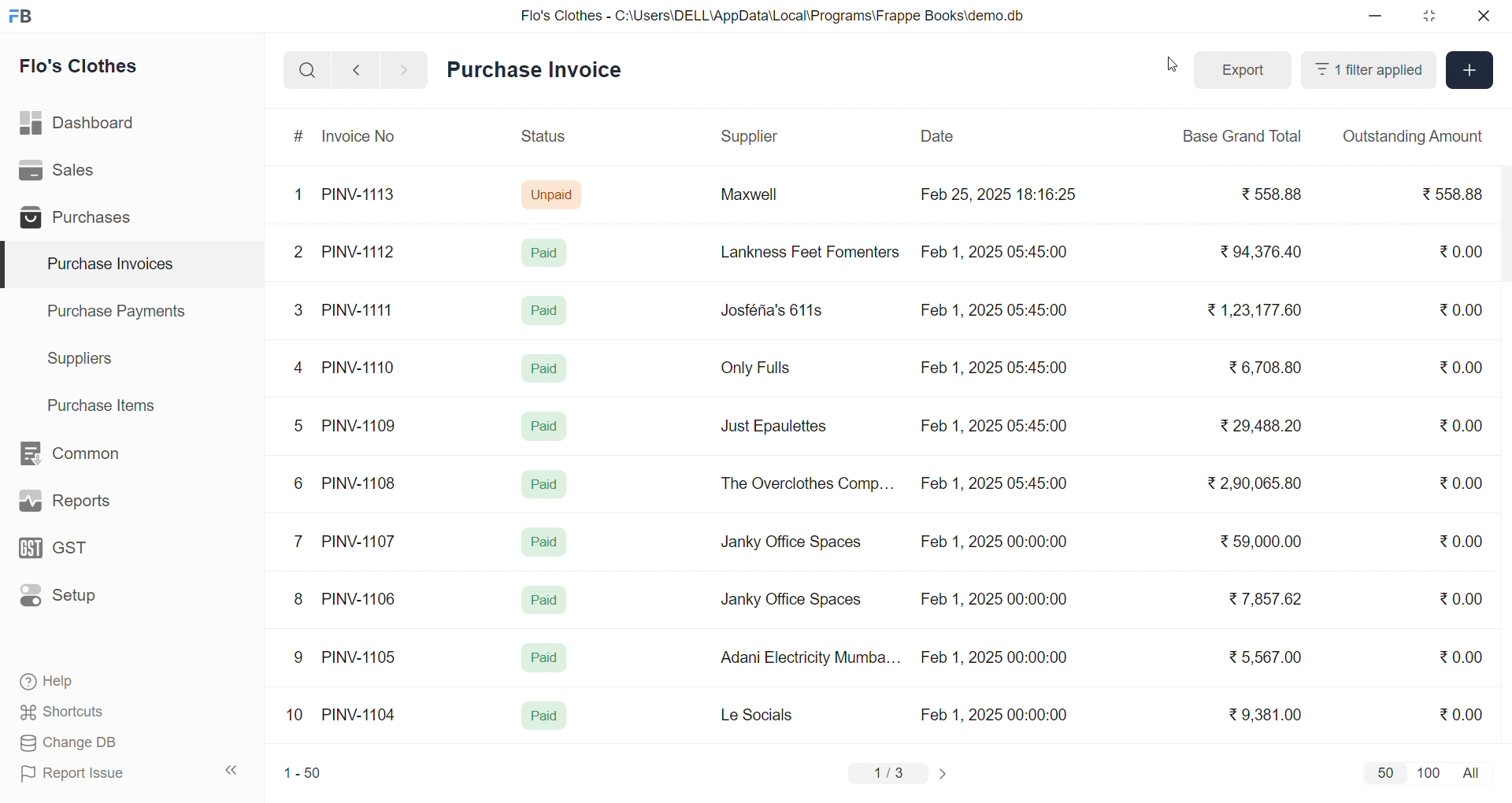 The image size is (1512, 803). What do you see at coordinates (889, 775) in the screenshot?
I see `1/3` at bounding box center [889, 775].